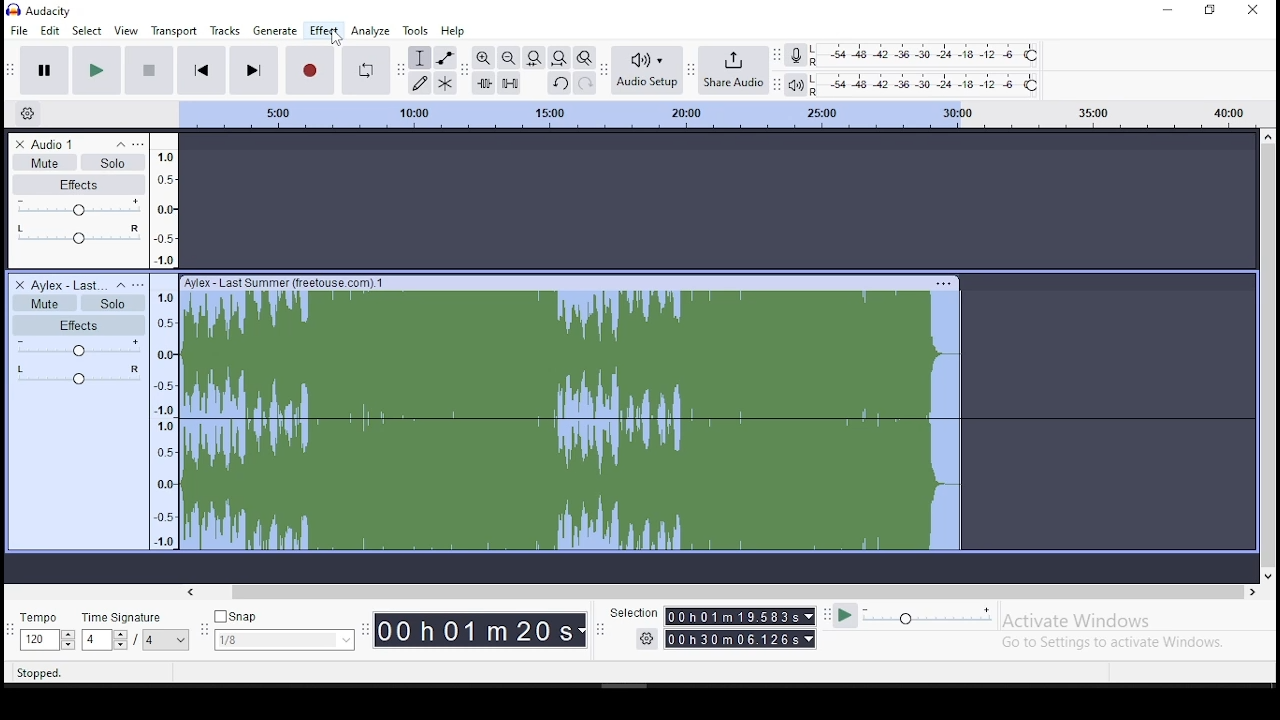 Image resolution: width=1280 pixels, height=720 pixels. I want to click on audio track name, so click(69, 284).